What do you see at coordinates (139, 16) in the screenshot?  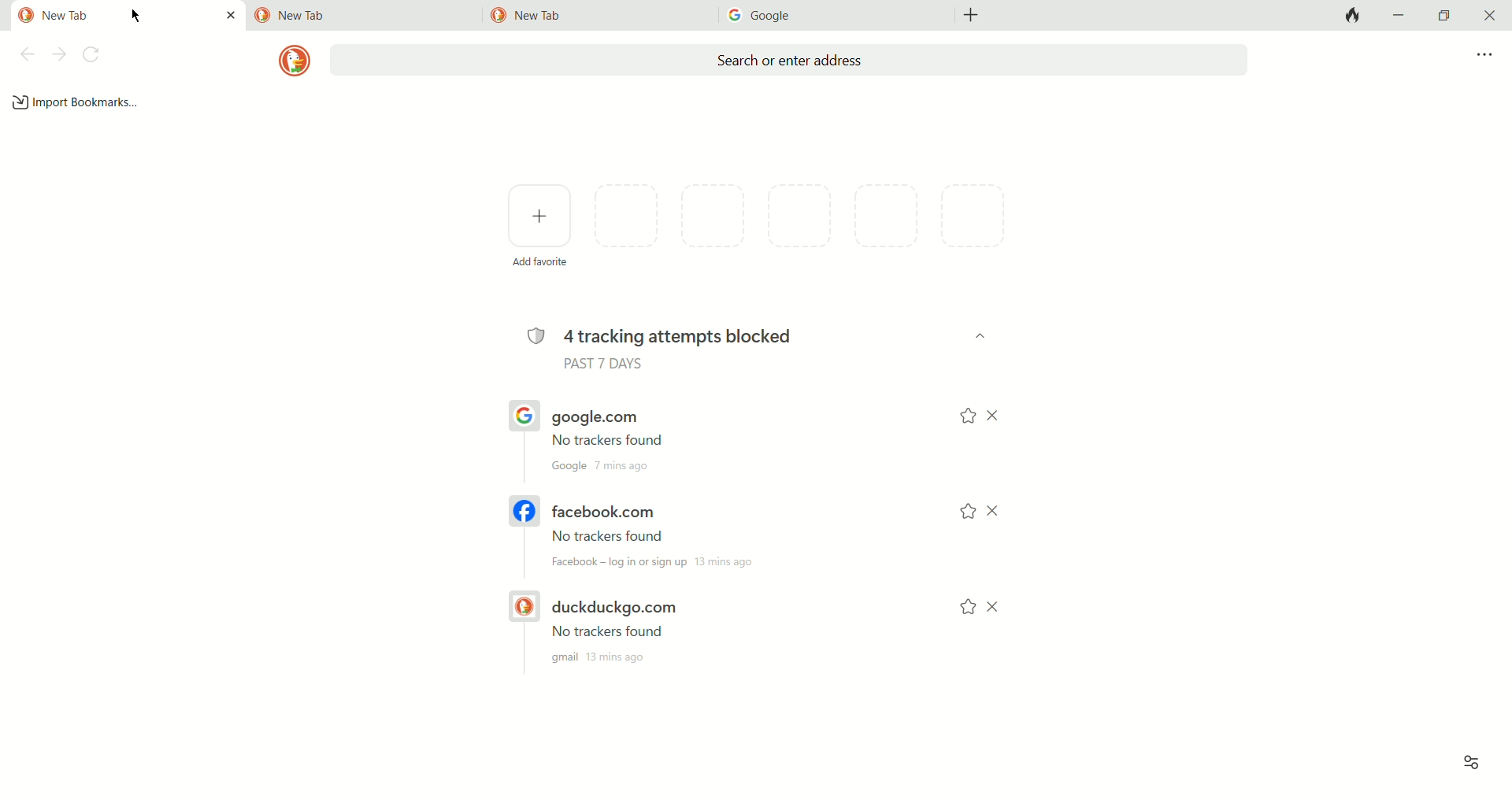 I see `mouse cursor` at bounding box center [139, 16].